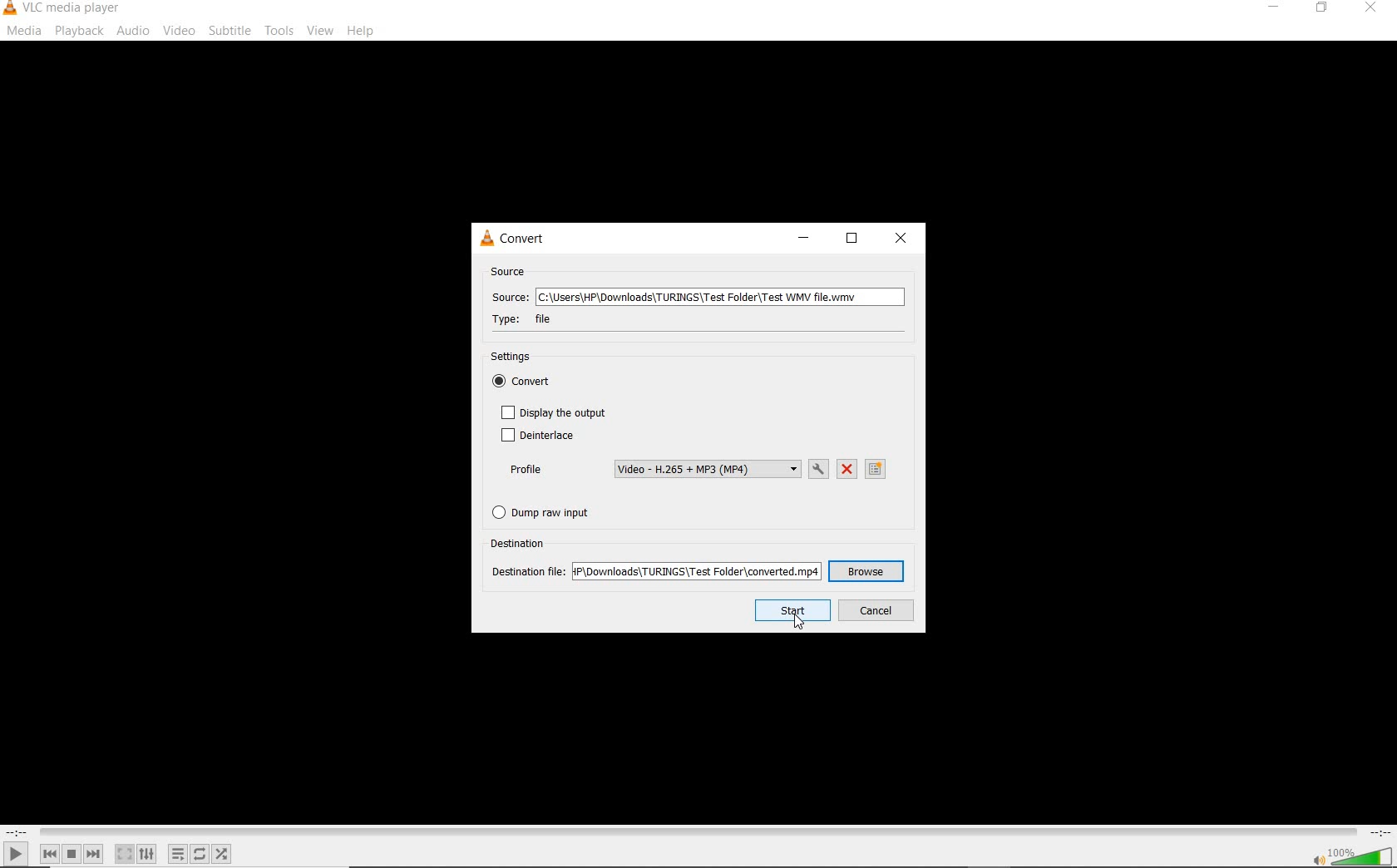 The height and width of the screenshot is (868, 1397). Describe the element at coordinates (547, 512) in the screenshot. I see `dump raw input` at that location.